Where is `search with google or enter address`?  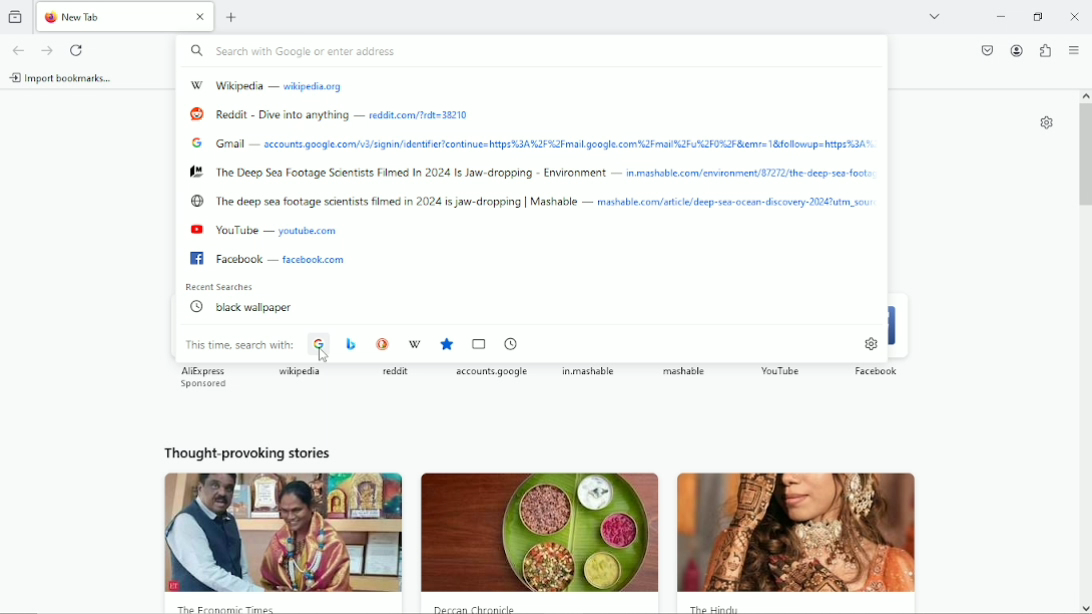 search with google or enter address is located at coordinates (532, 51).